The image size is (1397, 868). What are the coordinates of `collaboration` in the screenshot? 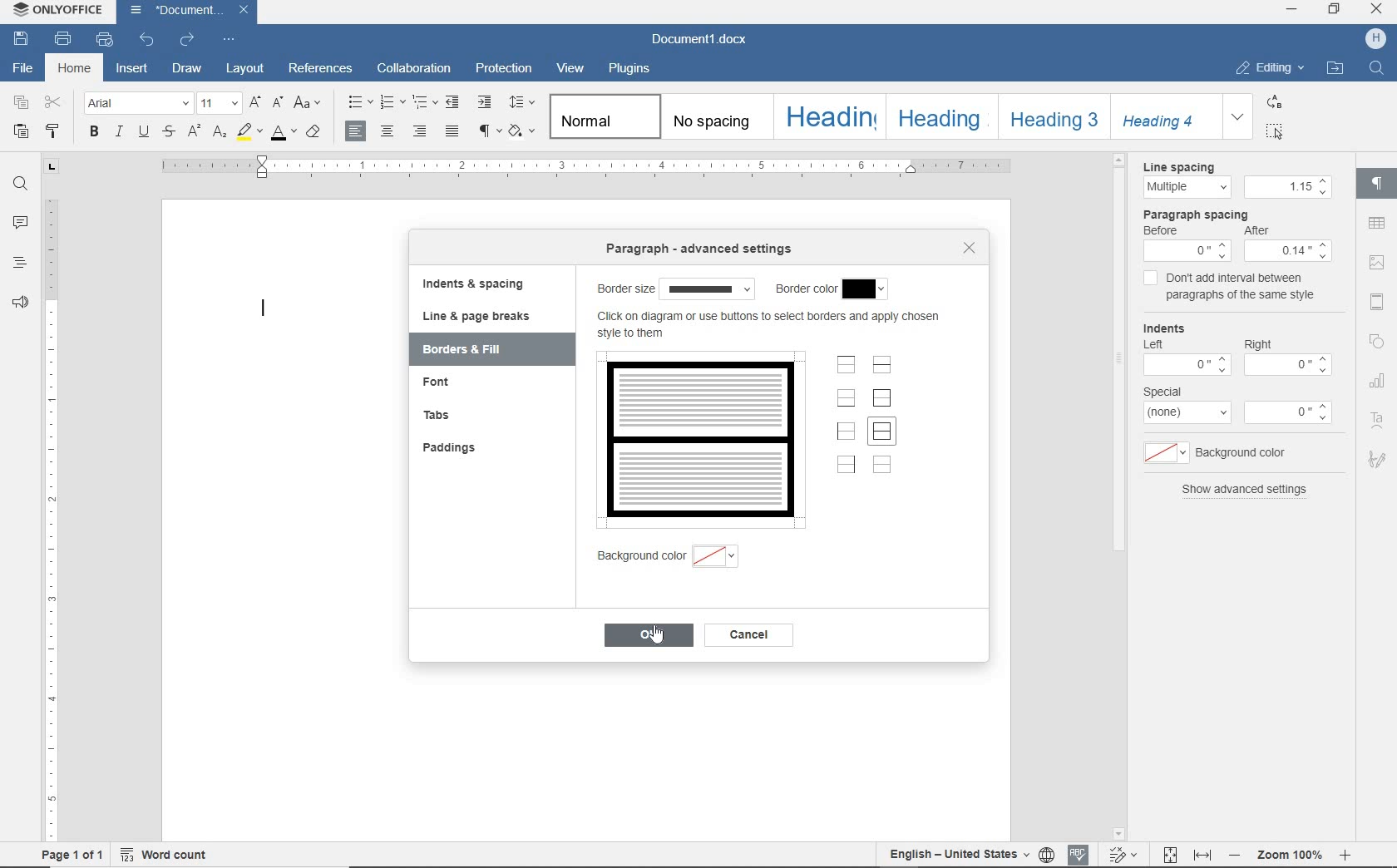 It's located at (417, 69).